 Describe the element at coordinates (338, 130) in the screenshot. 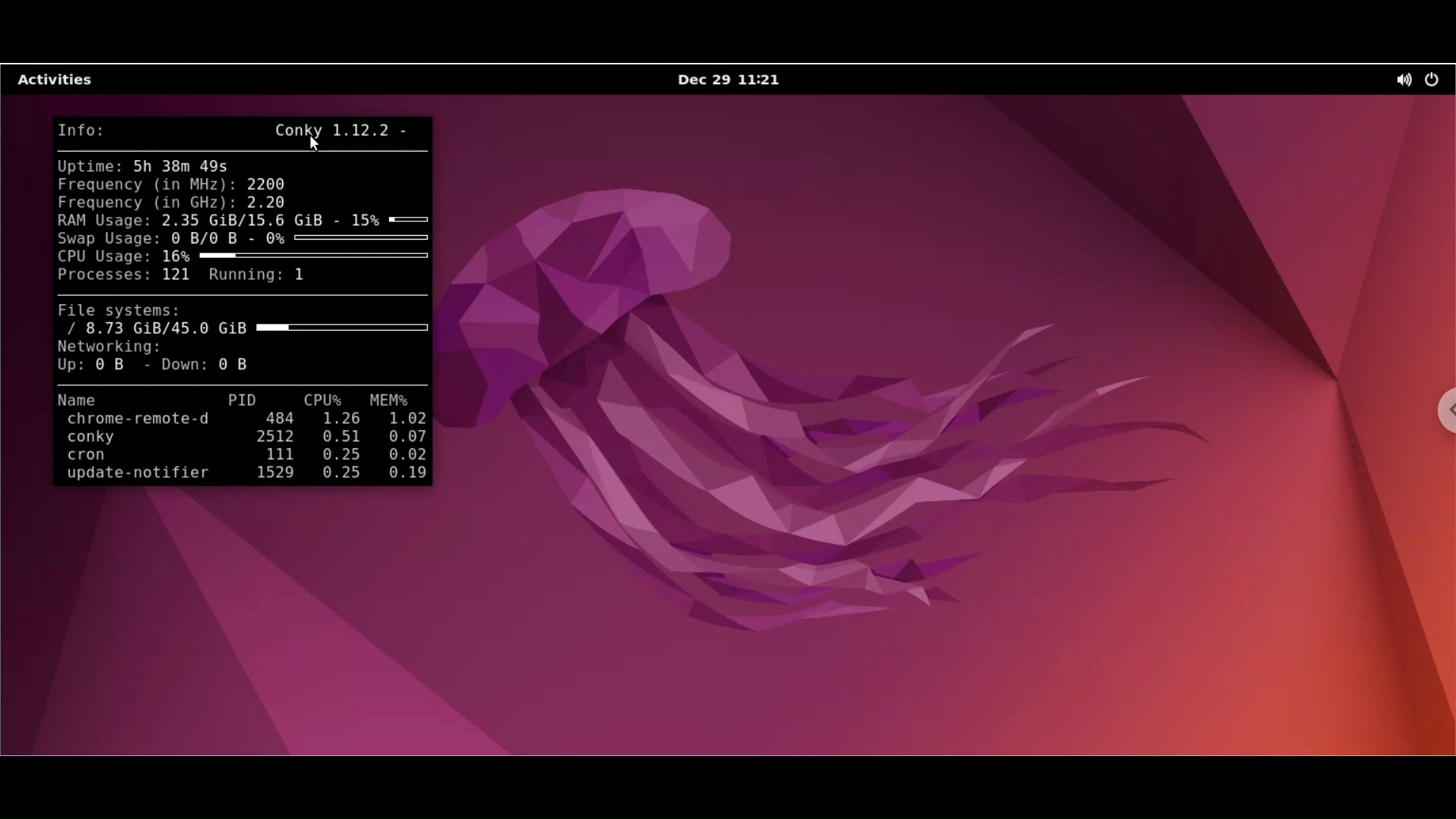

I see `conky 1.12.2 ` at that location.